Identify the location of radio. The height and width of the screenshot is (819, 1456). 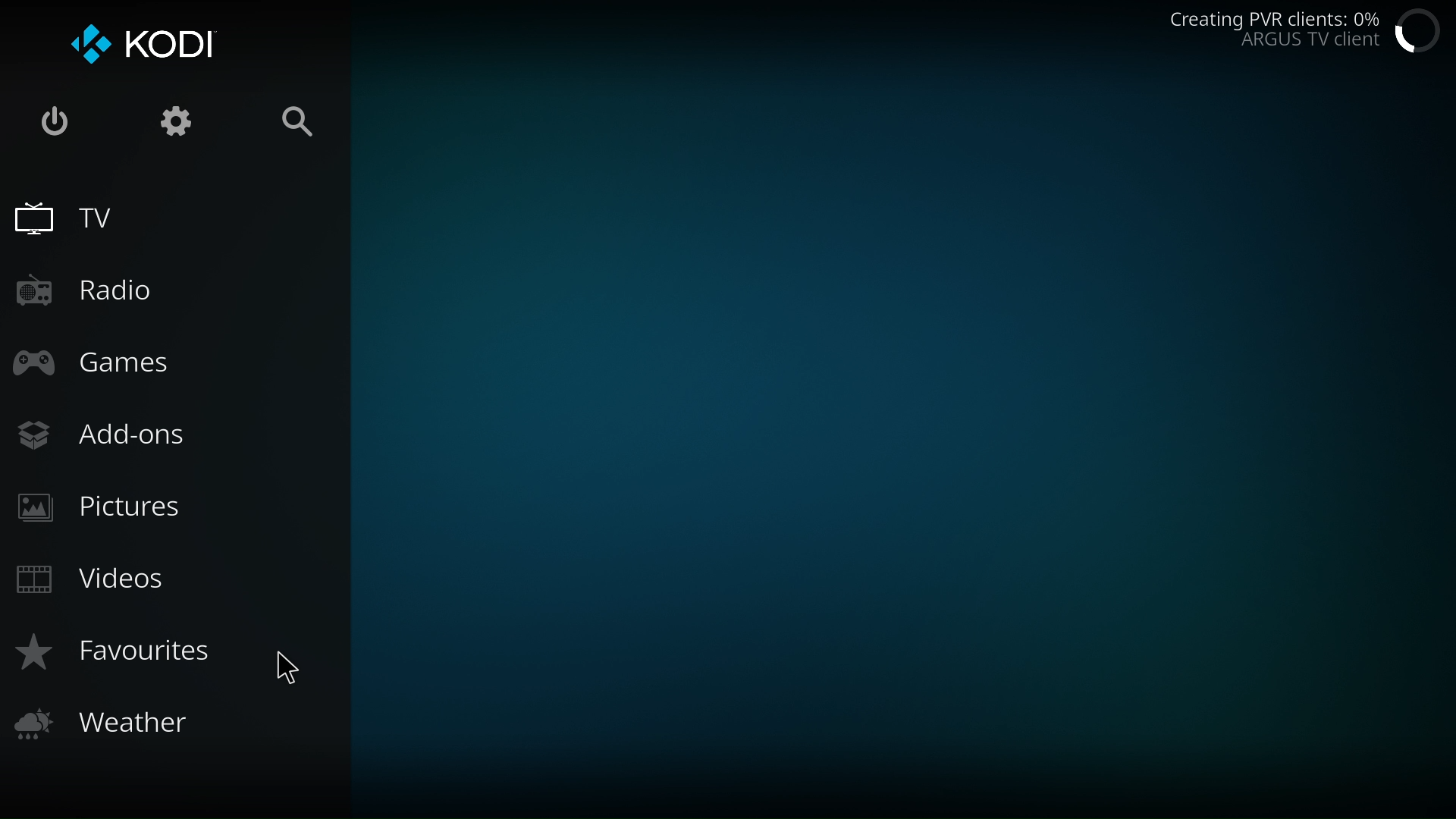
(96, 291).